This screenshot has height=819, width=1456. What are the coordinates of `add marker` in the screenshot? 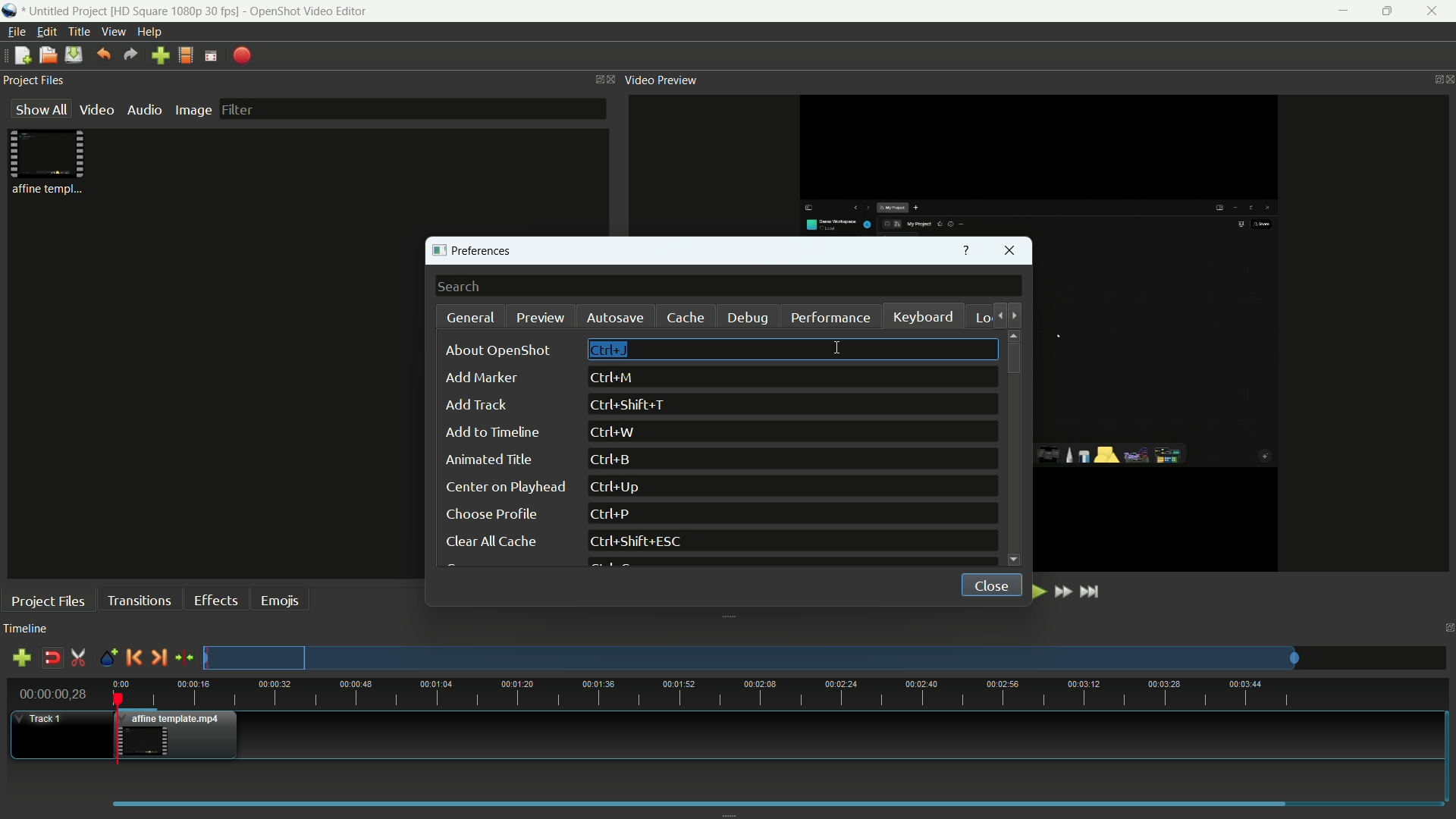 It's located at (480, 379).